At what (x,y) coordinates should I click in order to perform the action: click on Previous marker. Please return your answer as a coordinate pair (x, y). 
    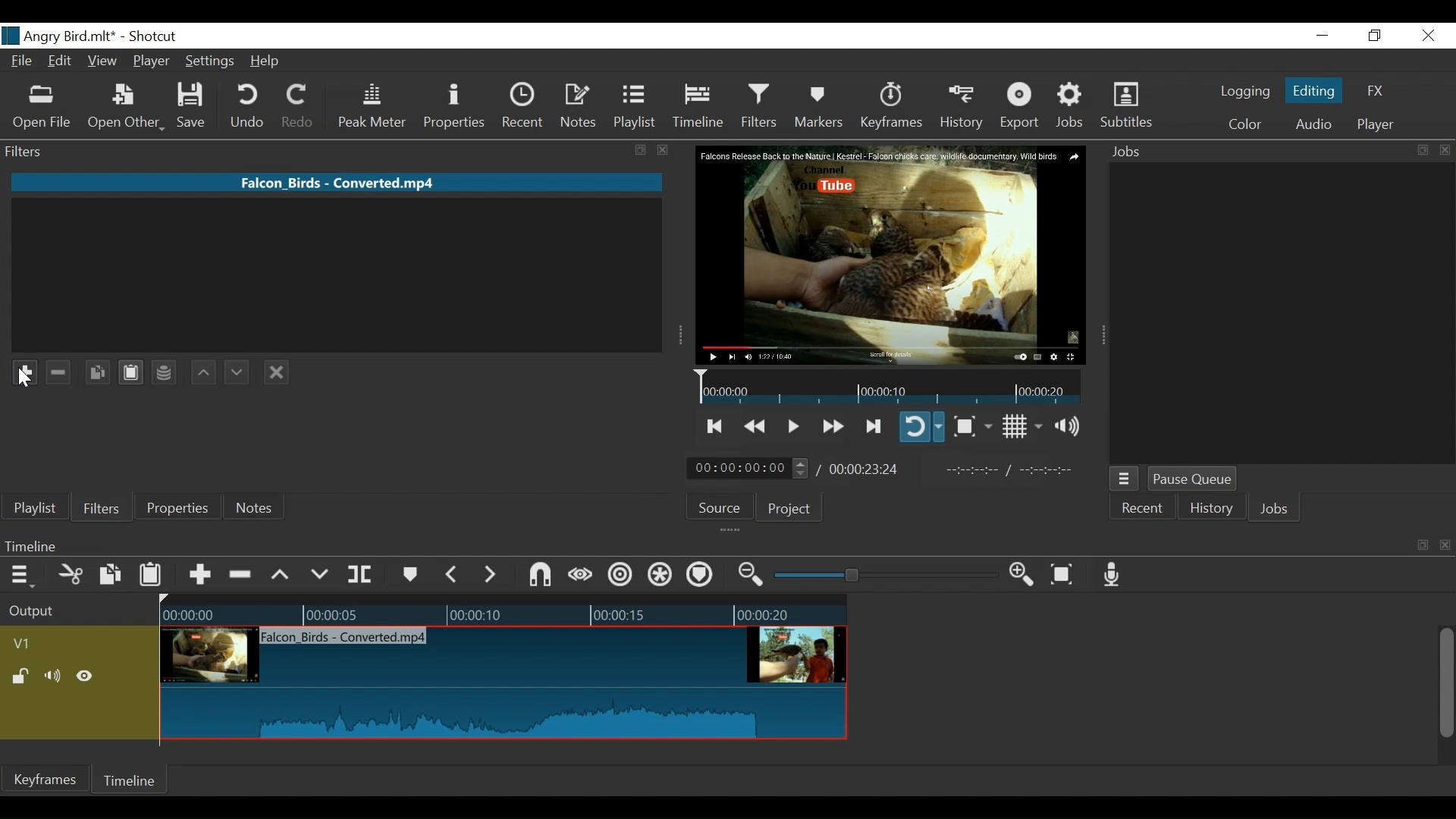
    Looking at the image, I should click on (452, 574).